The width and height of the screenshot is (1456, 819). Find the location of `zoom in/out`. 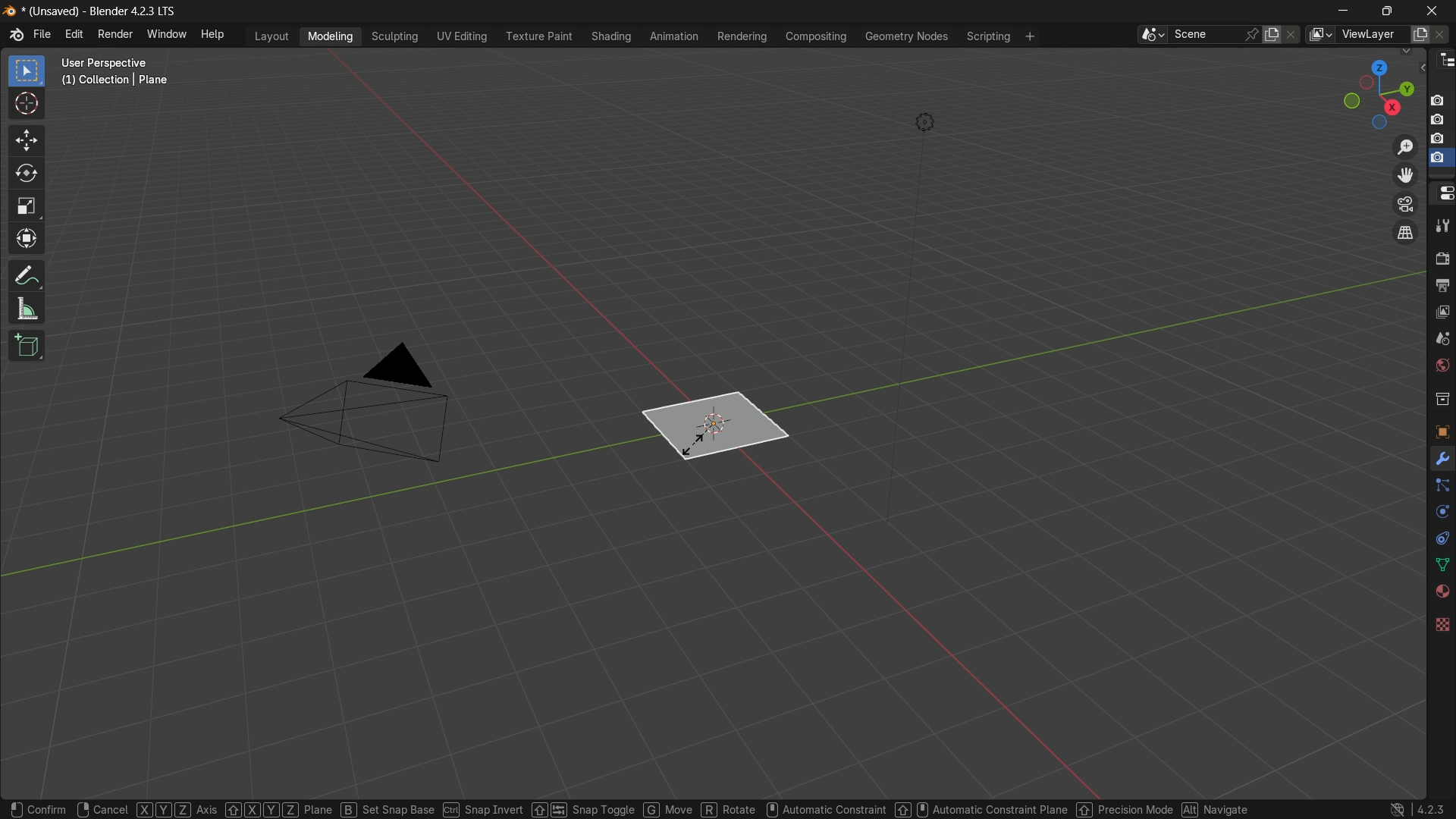

zoom in/out is located at coordinates (1404, 147).